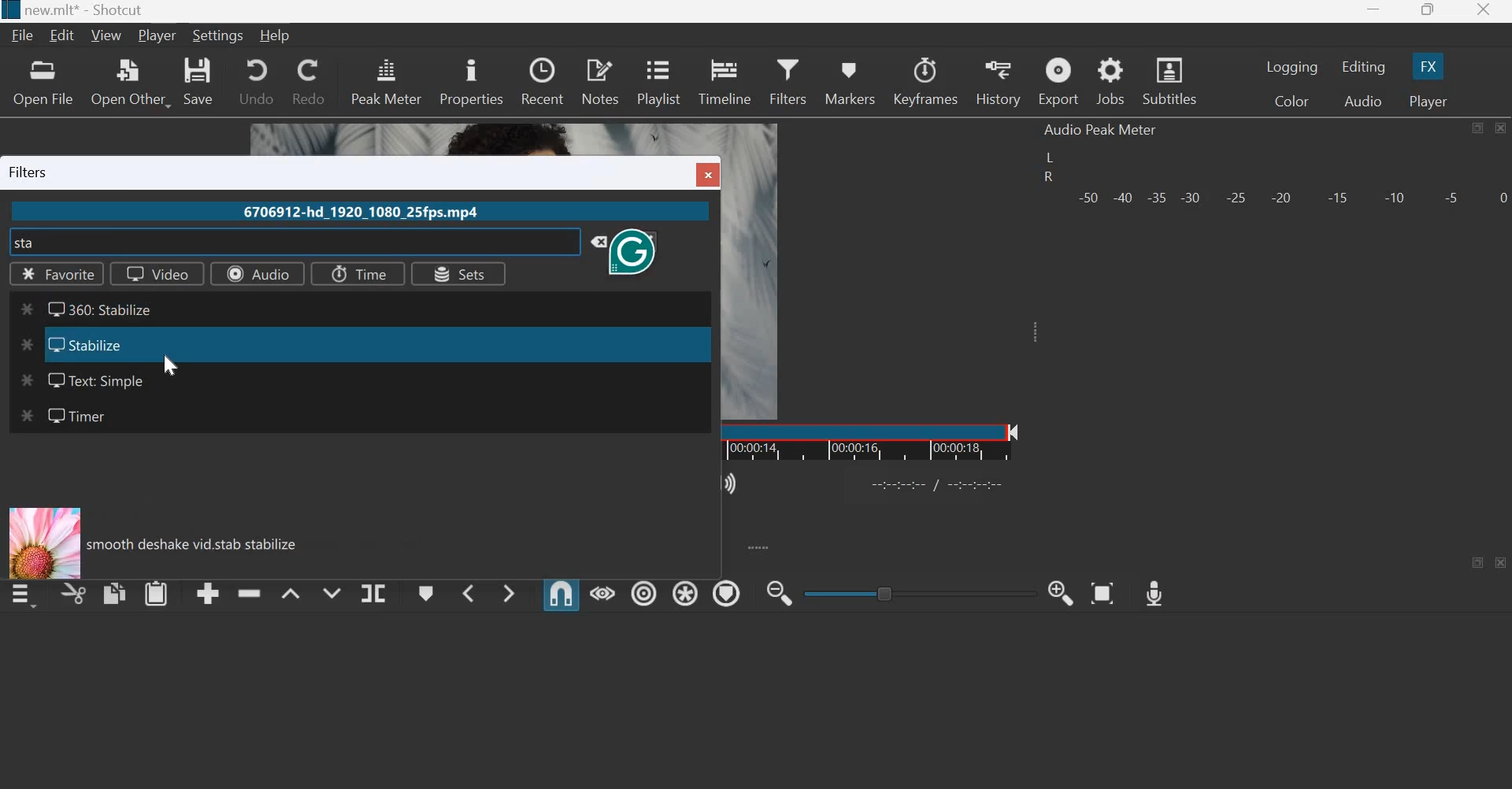 The image size is (1512, 789). What do you see at coordinates (1291, 198) in the screenshot?
I see `Volume meter` at bounding box center [1291, 198].